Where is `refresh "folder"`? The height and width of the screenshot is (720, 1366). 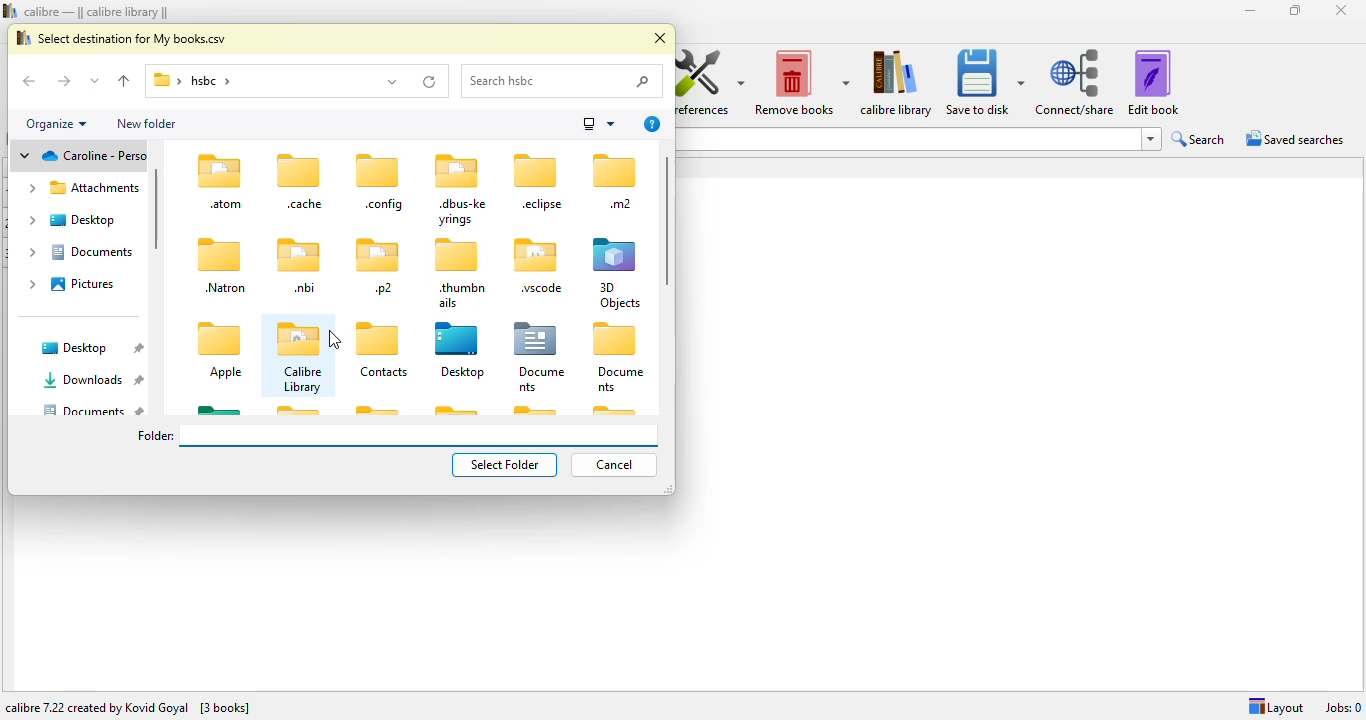 refresh "folder" is located at coordinates (429, 81).